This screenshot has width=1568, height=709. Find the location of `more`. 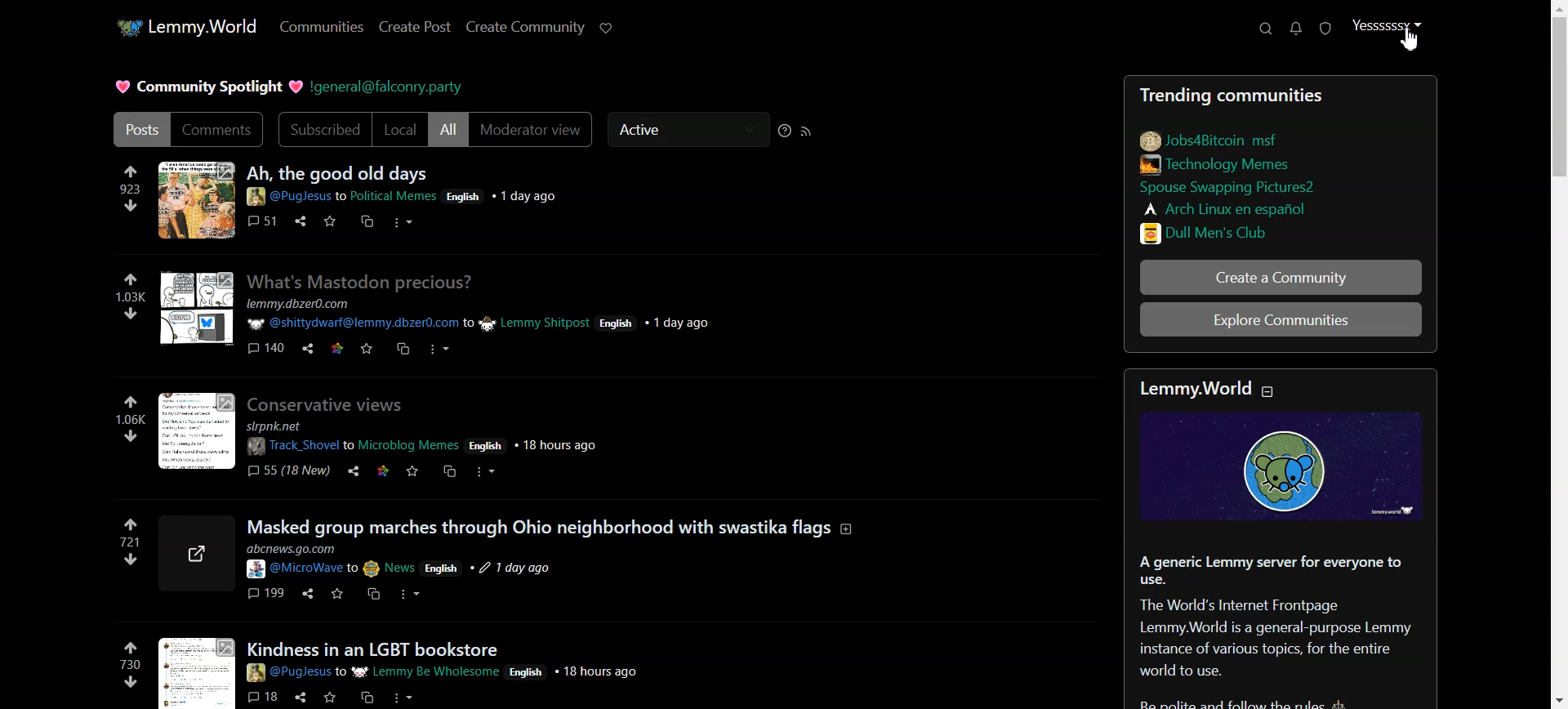

more is located at coordinates (401, 698).